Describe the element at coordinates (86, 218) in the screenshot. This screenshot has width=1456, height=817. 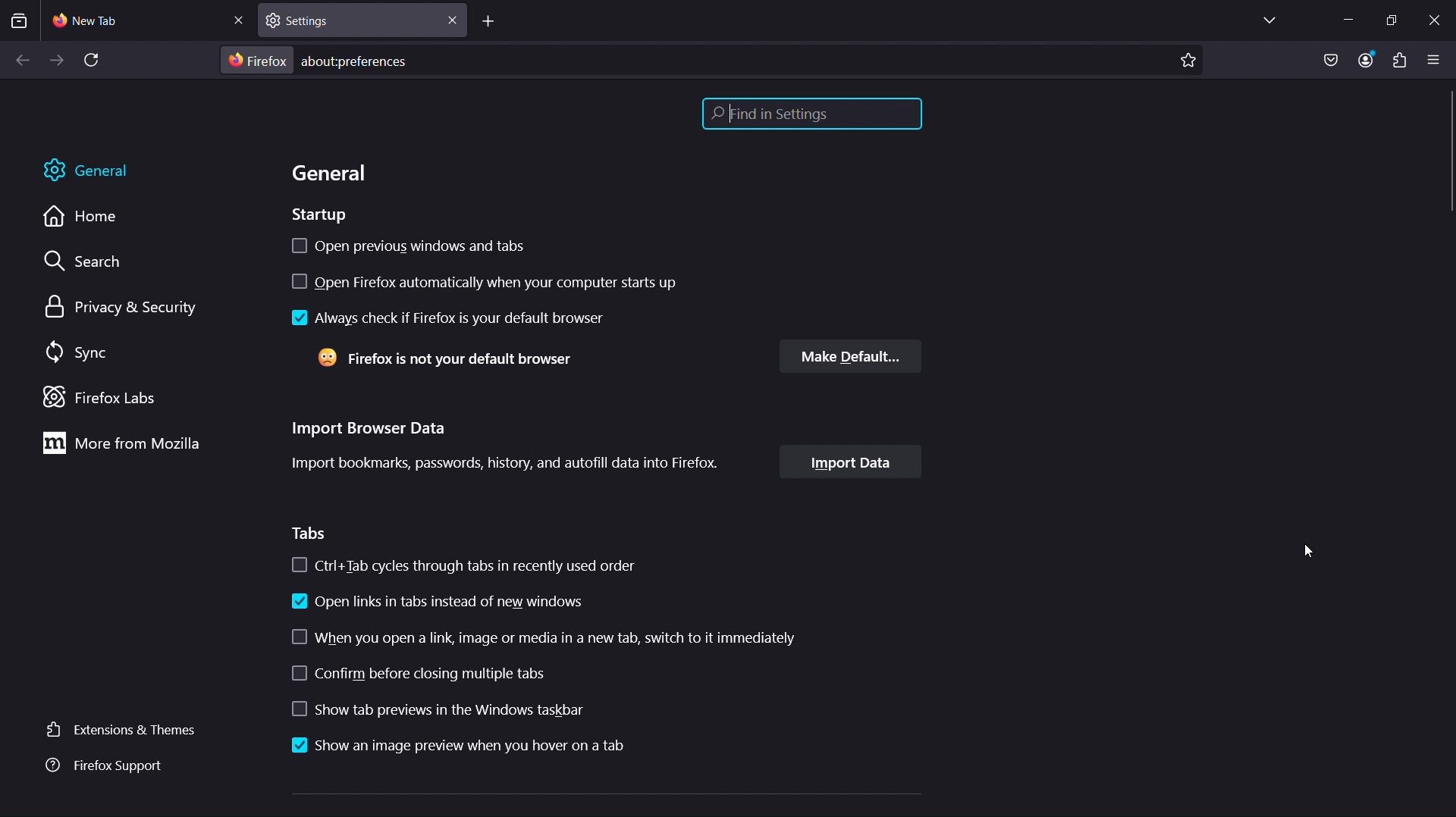
I see `Home` at that location.